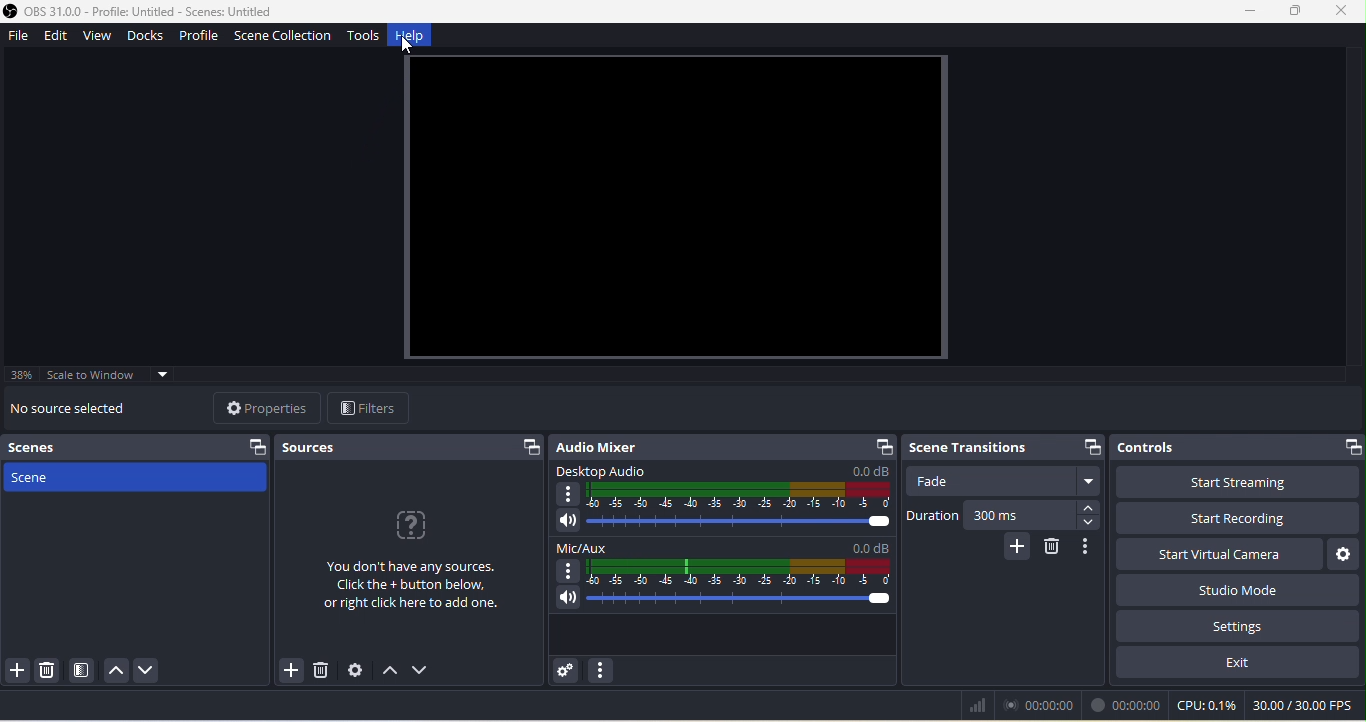 This screenshot has height=722, width=1366. What do you see at coordinates (415, 38) in the screenshot?
I see `help` at bounding box center [415, 38].